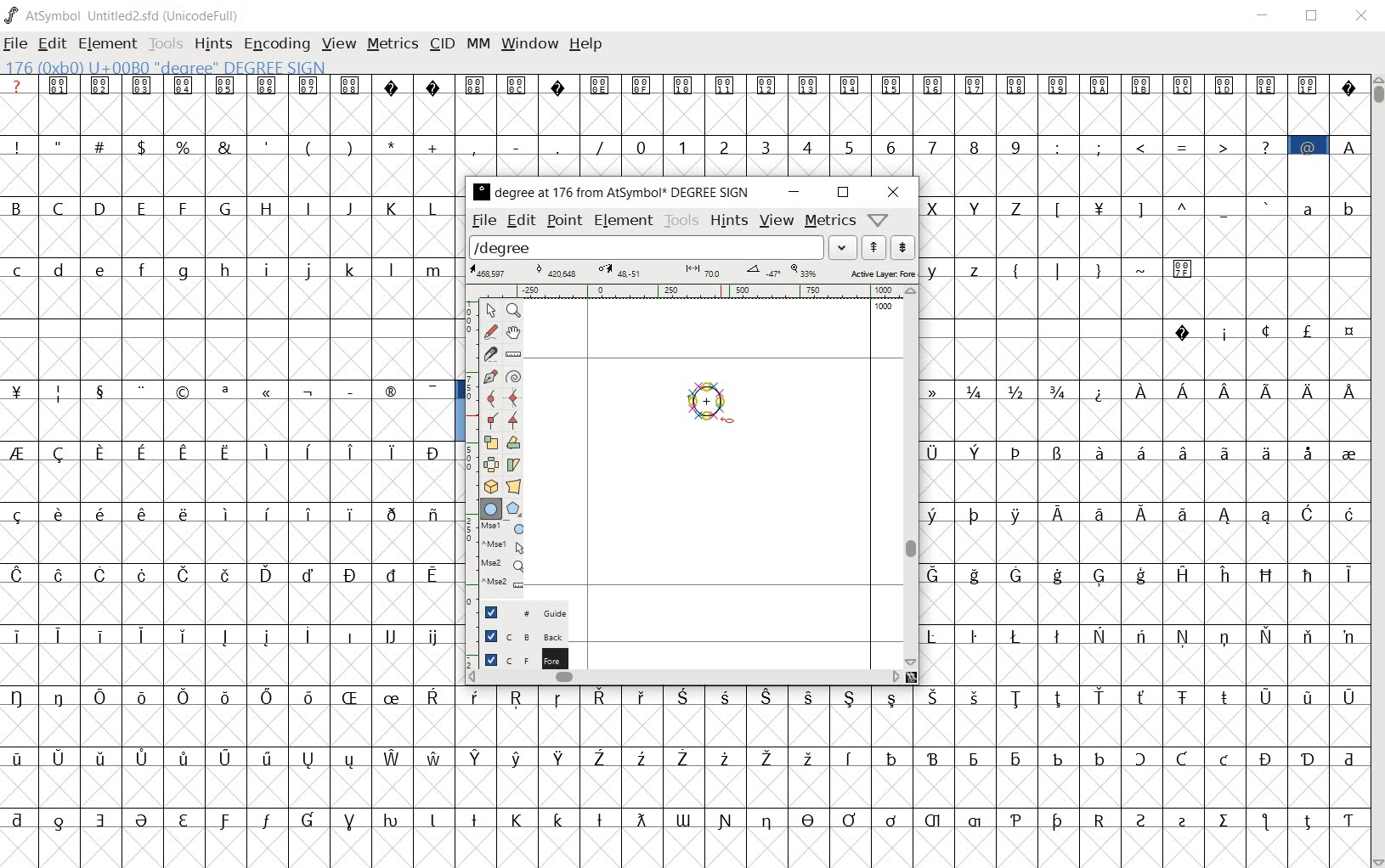  What do you see at coordinates (1141, 664) in the screenshot?
I see `` at bounding box center [1141, 664].